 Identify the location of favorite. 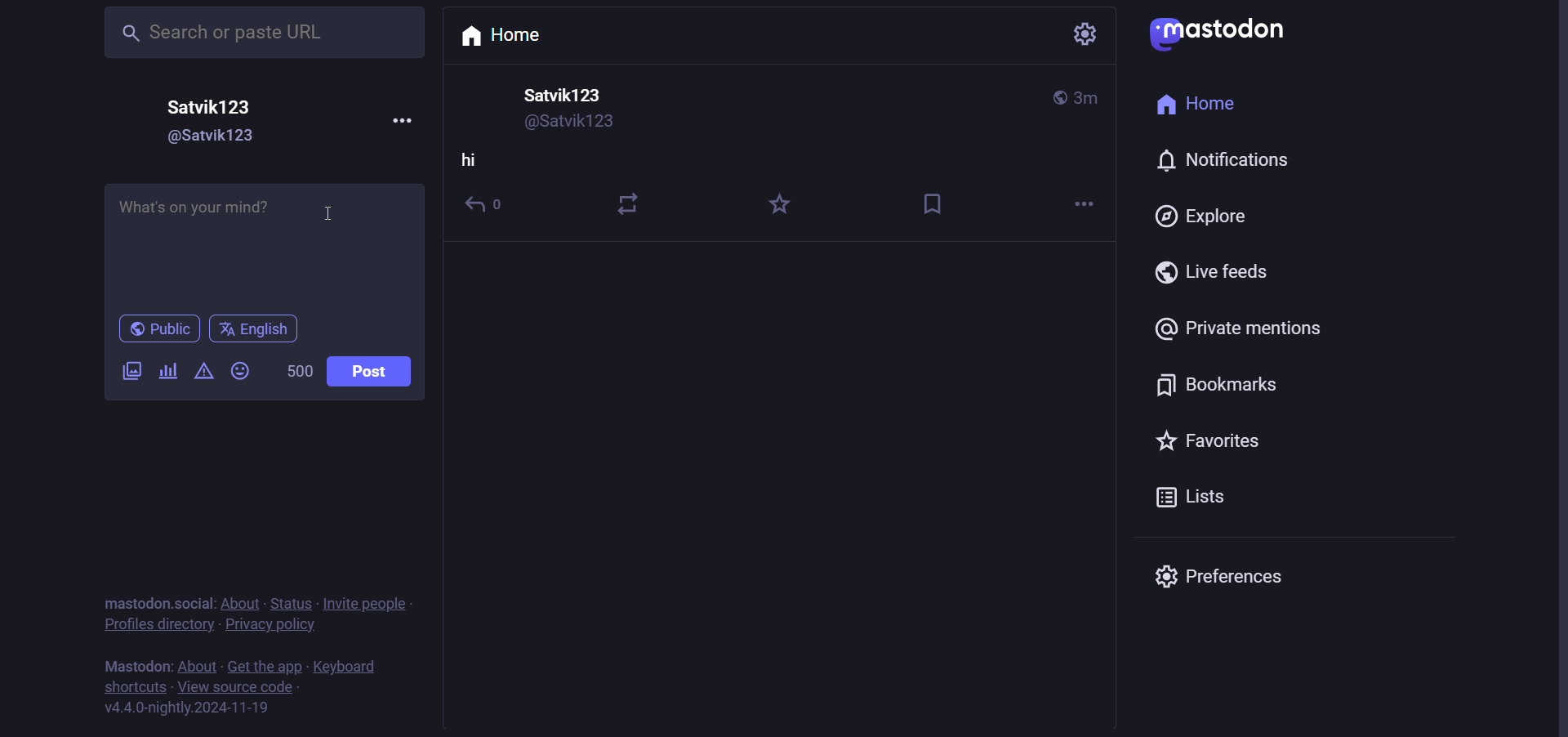
(1223, 446).